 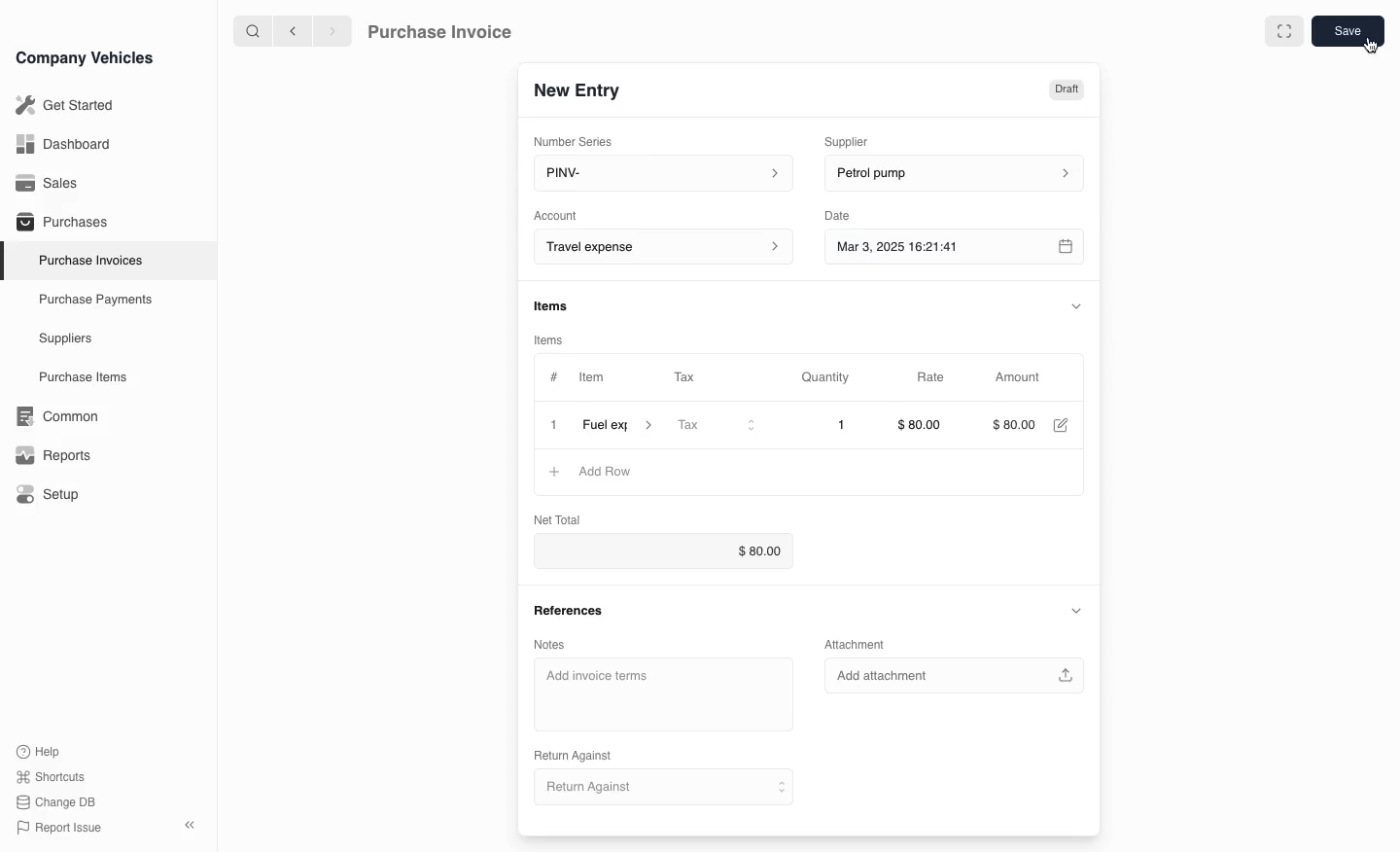 What do you see at coordinates (579, 754) in the screenshot?
I see `Return Against` at bounding box center [579, 754].